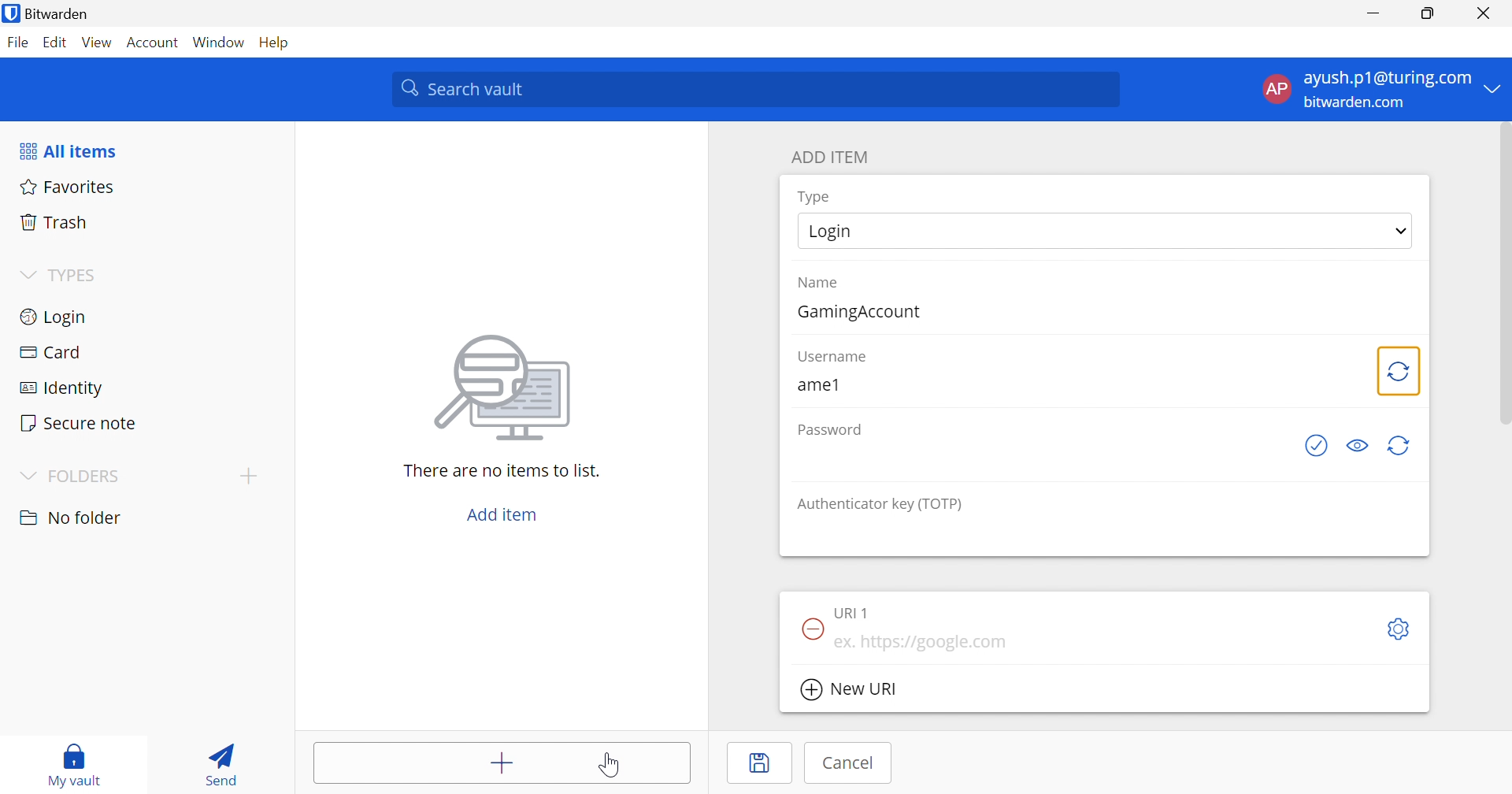 The width and height of the screenshot is (1512, 794). Describe the element at coordinates (610, 765) in the screenshot. I see `Cursor` at that location.